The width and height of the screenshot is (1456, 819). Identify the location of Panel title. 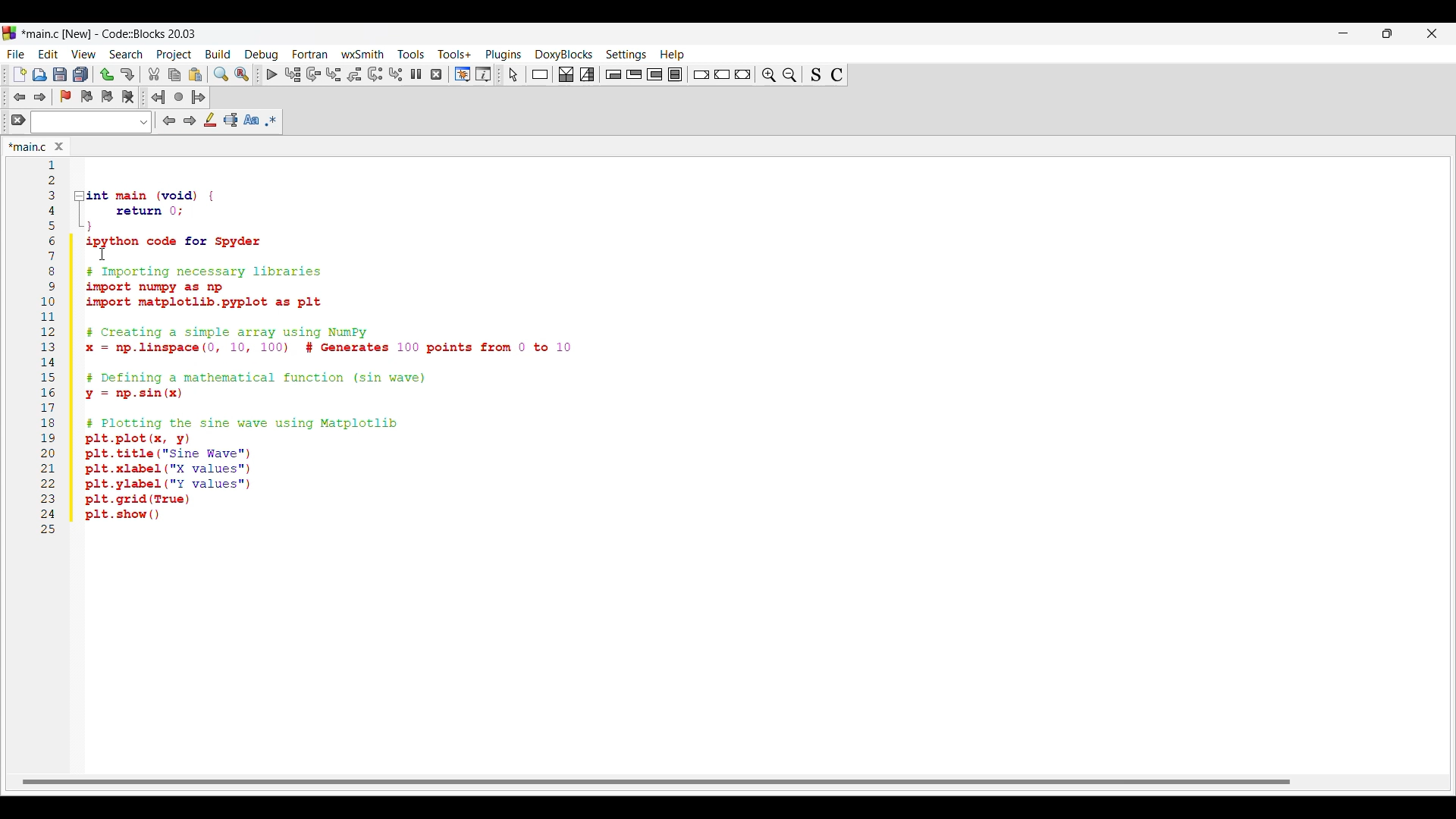
(30, 146).